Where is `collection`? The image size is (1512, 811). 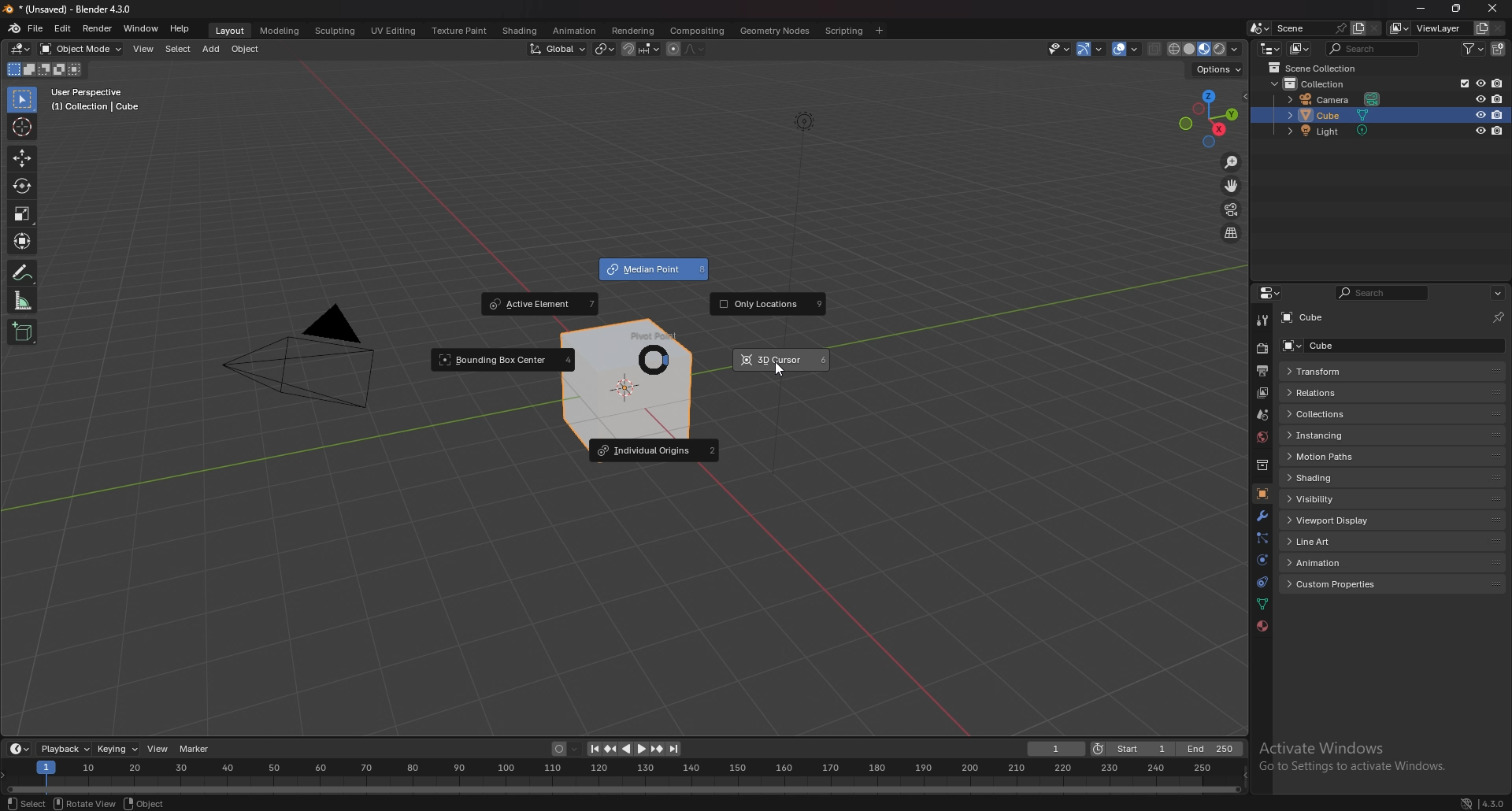
collection is located at coordinates (1261, 465).